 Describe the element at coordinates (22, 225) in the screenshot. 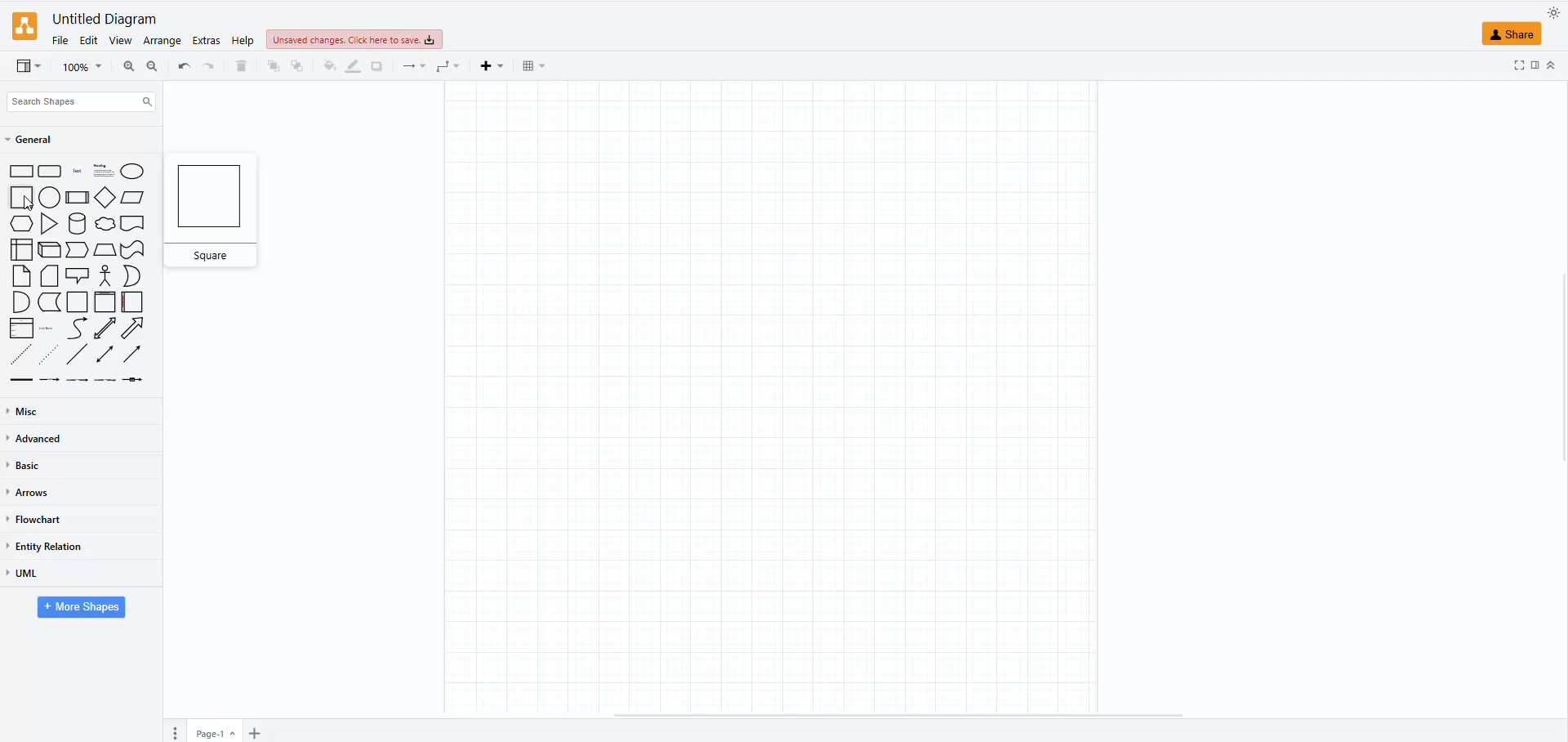

I see `hexagon` at that location.